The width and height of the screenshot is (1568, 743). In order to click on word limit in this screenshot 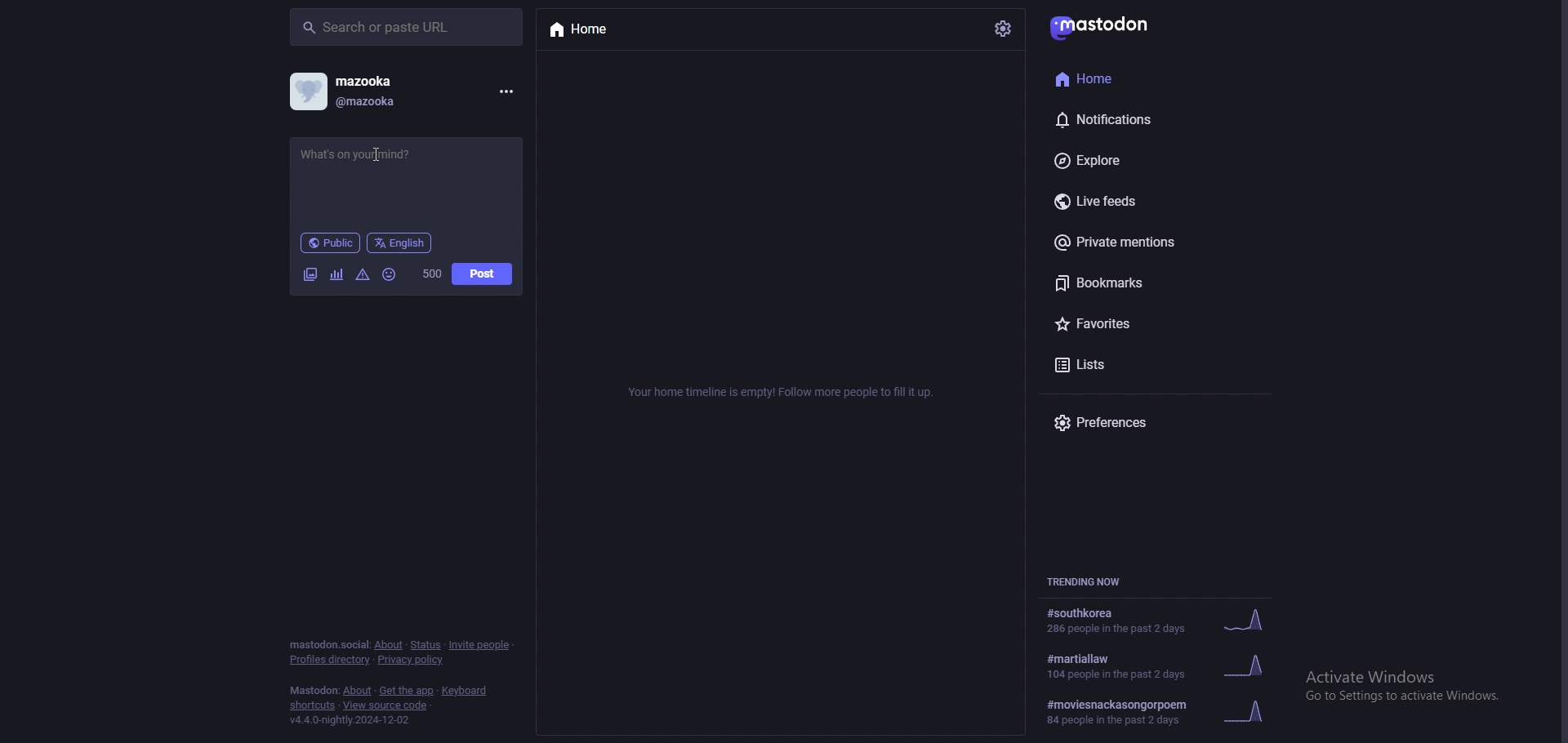, I will do `click(433, 274)`.